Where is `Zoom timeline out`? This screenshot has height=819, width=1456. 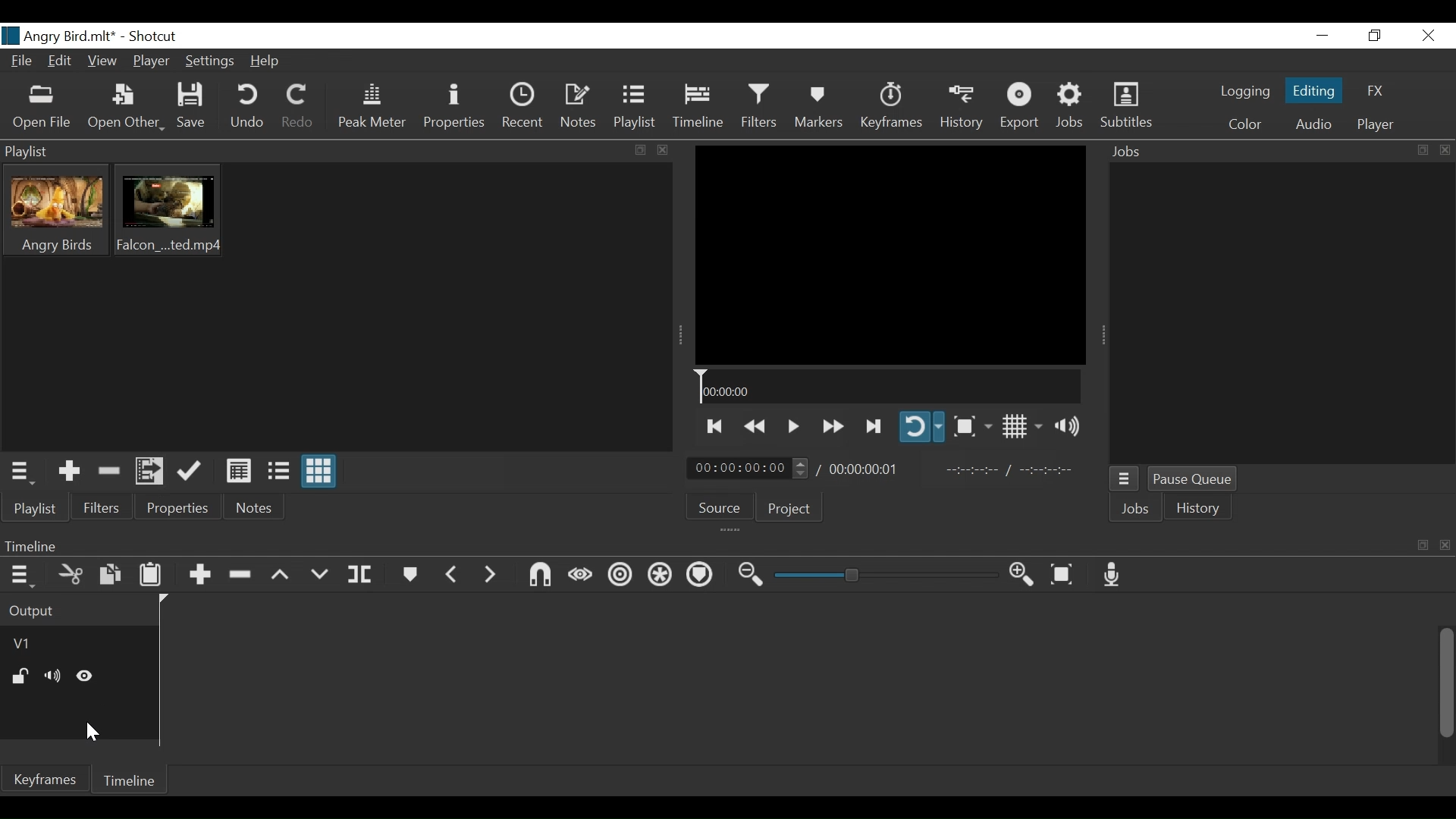 Zoom timeline out is located at coordinates (750, 576).